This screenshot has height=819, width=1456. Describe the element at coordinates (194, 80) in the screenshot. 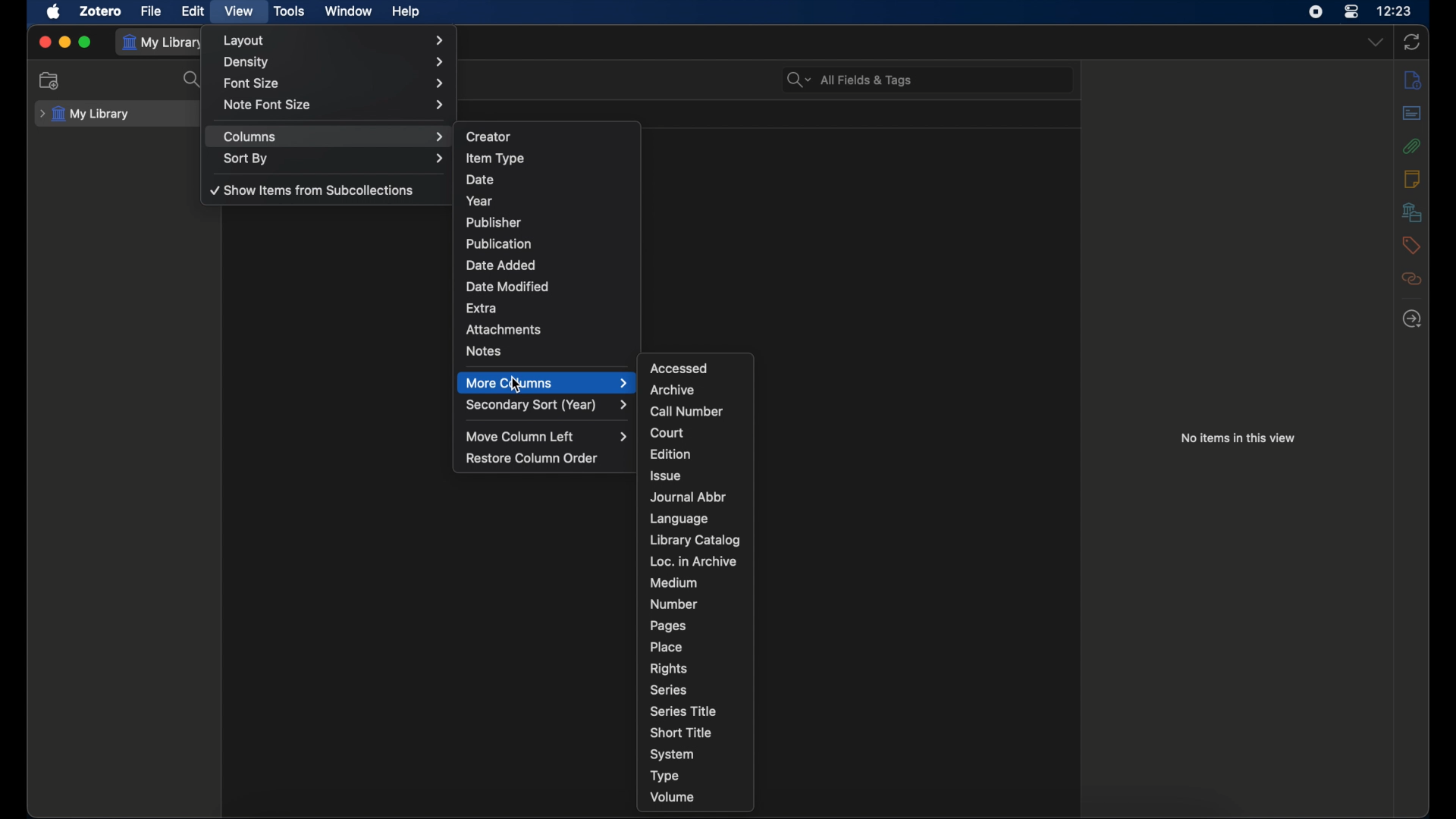

I see `search` at that location.